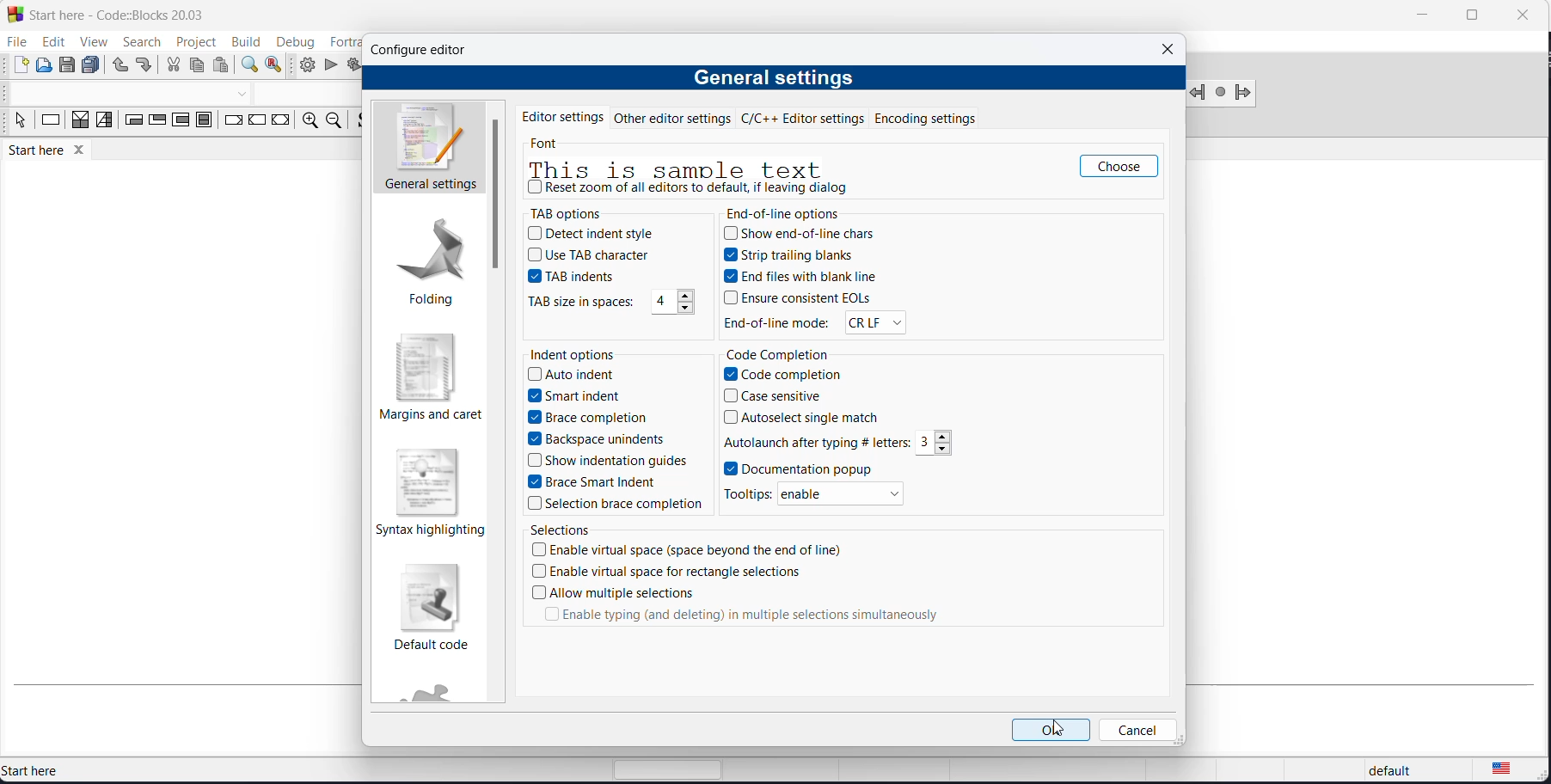  I want to click on entry condition loop, so click(128, 123).